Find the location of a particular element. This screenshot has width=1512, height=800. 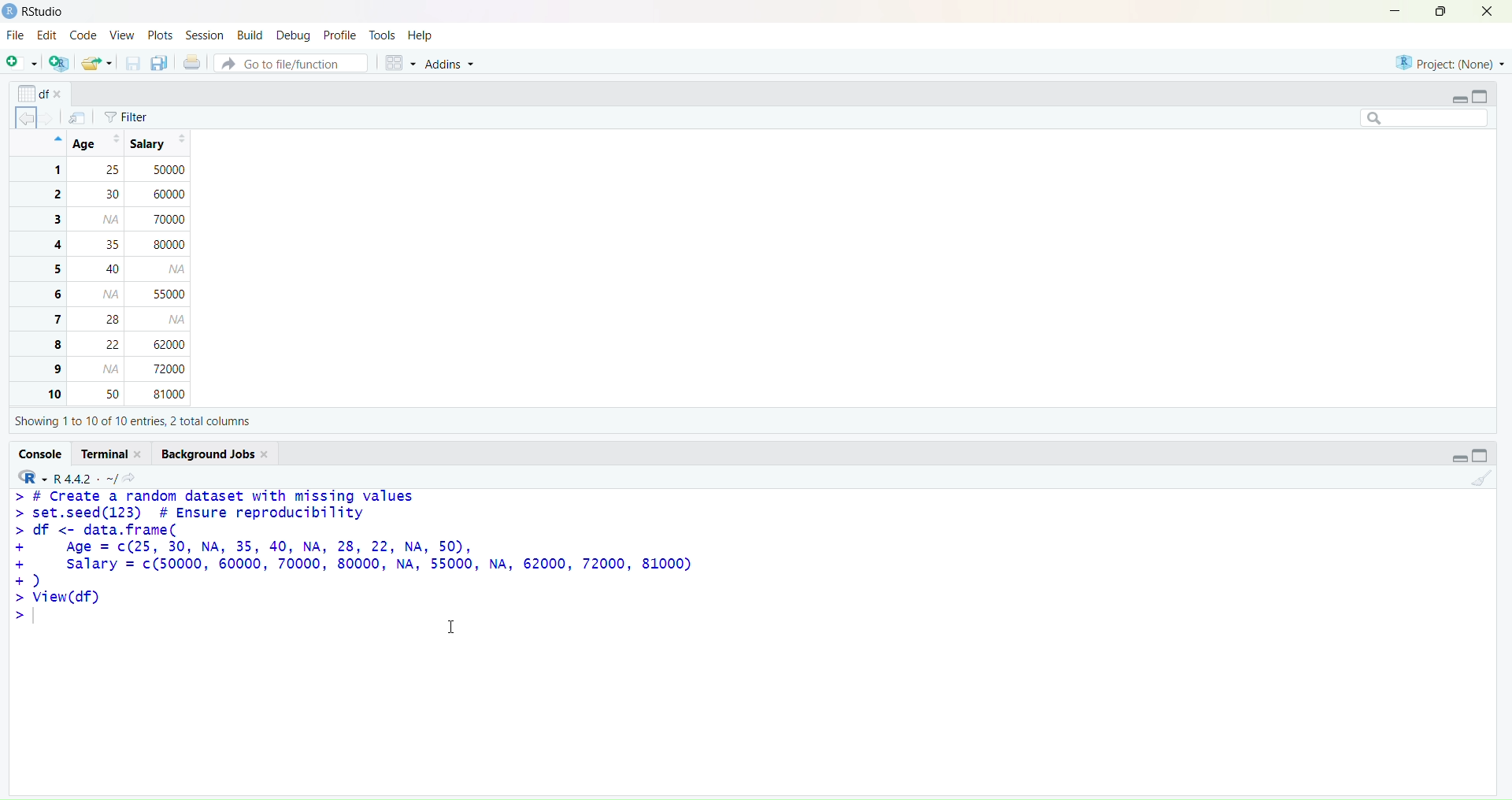

file is located at coordinates (16, 36).